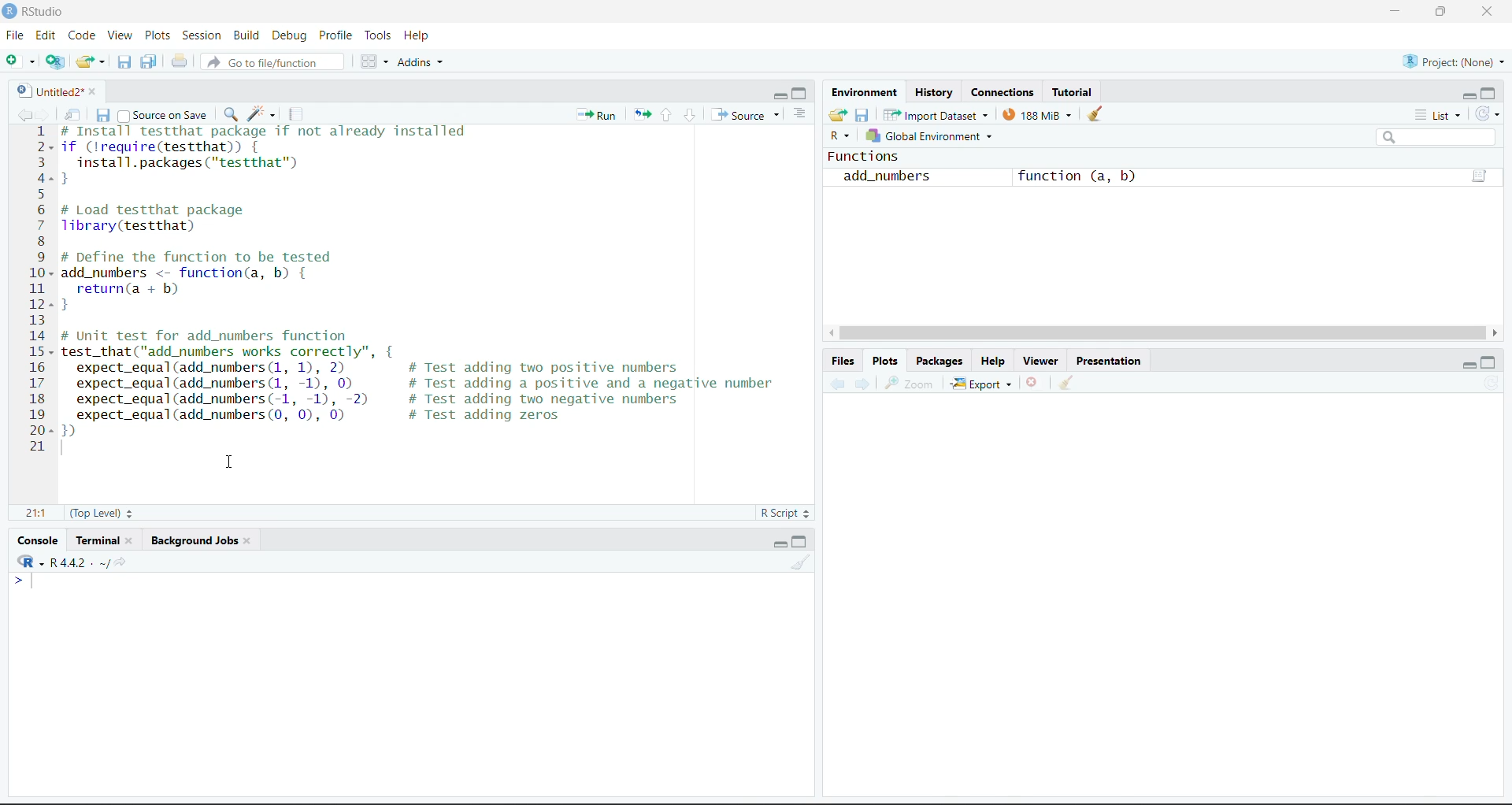  I want to click on Presentation, so click(1110, 361).